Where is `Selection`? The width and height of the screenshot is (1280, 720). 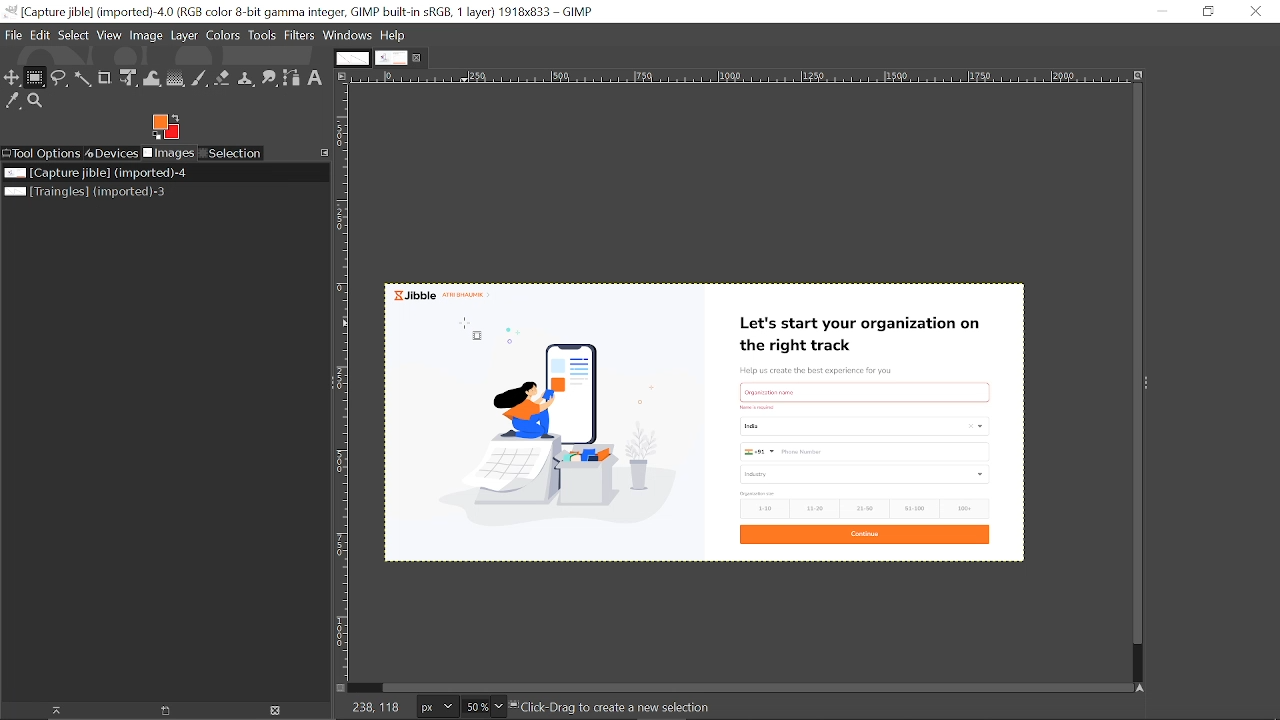
Selection is located at coordinates (233, 154).